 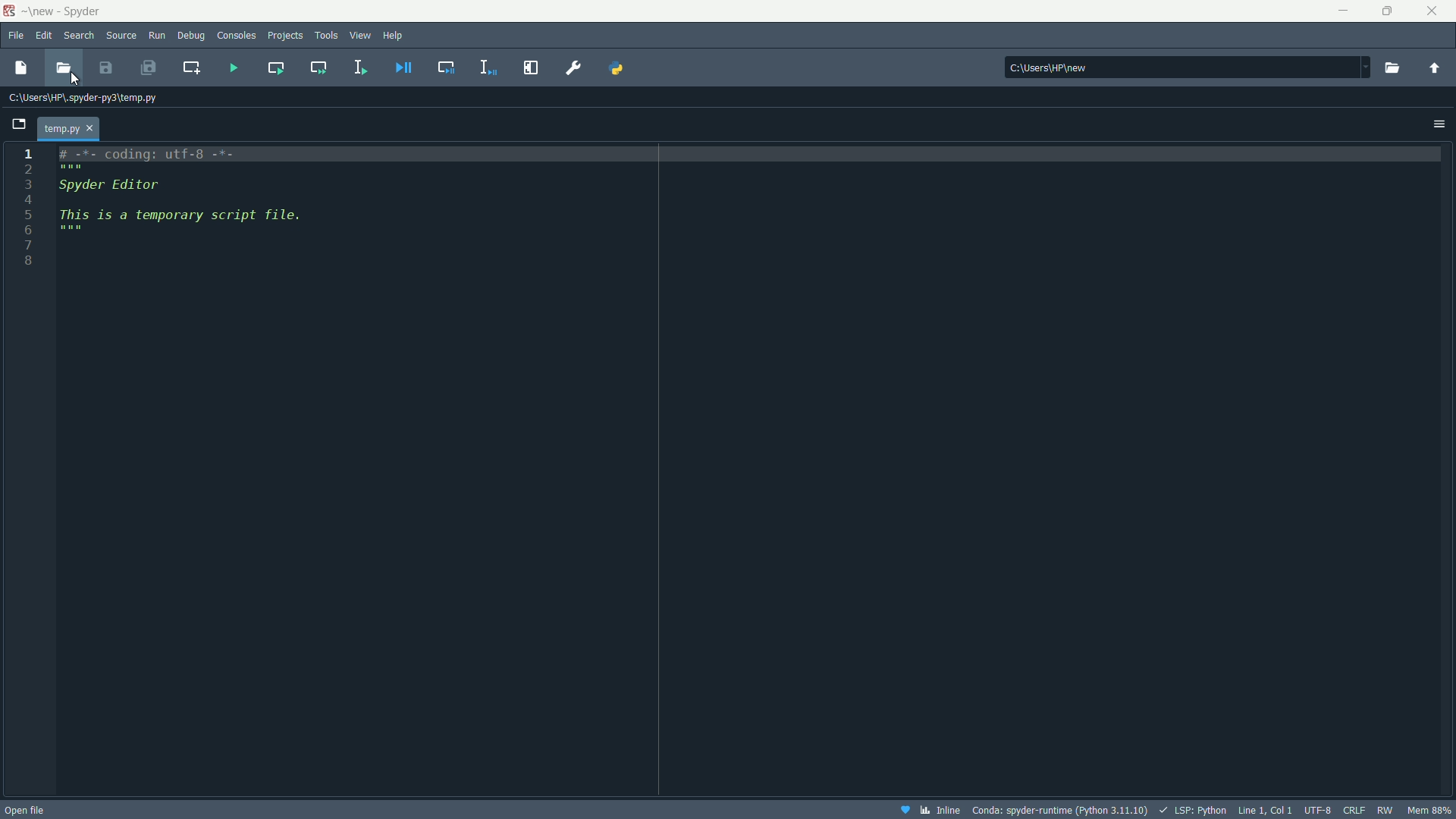 I want to click on Open file, so click(x=64, y=64).